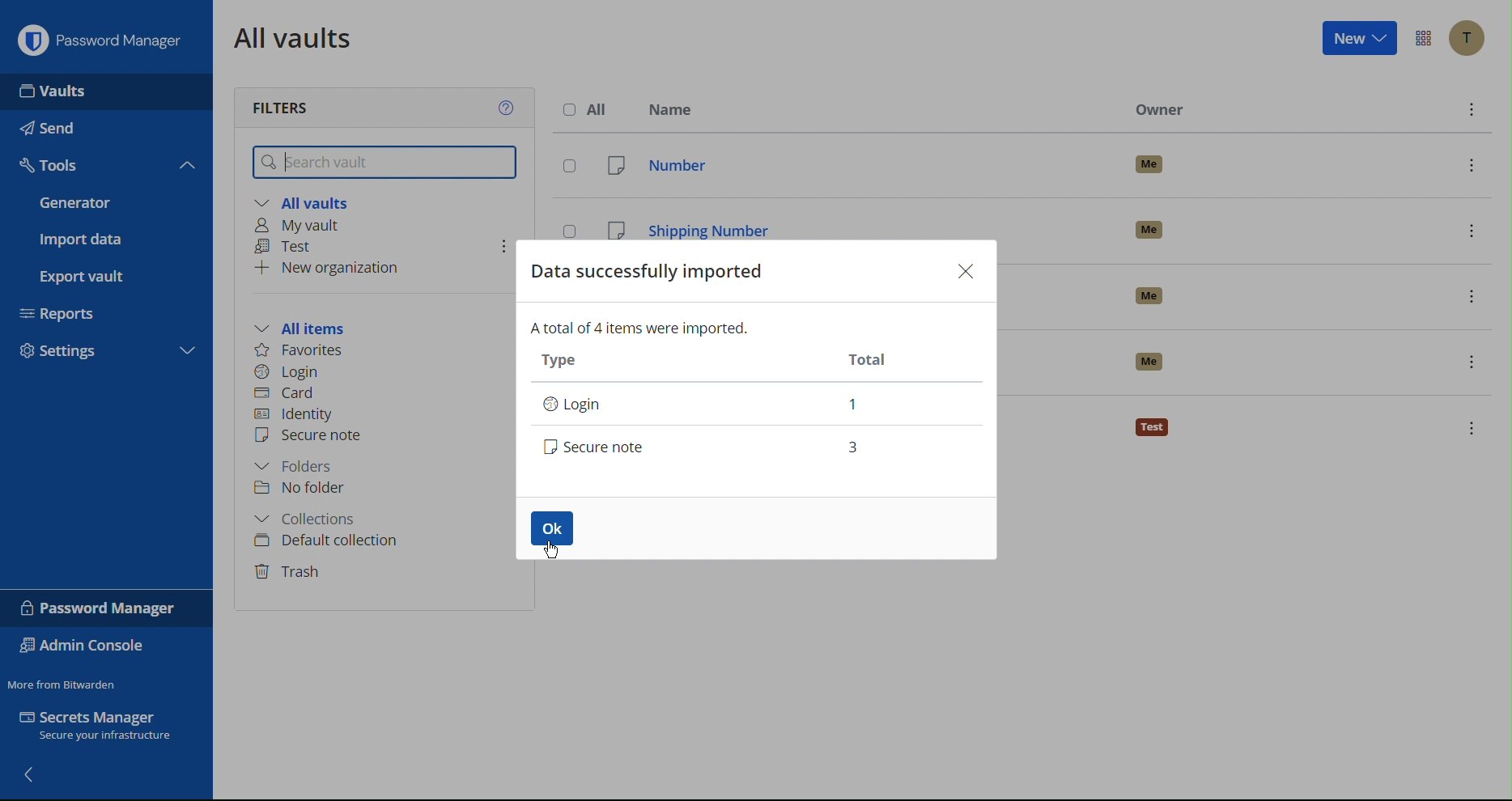 This screenshot has width=1512, height=801. I want to click on options, so click(1471, 164).